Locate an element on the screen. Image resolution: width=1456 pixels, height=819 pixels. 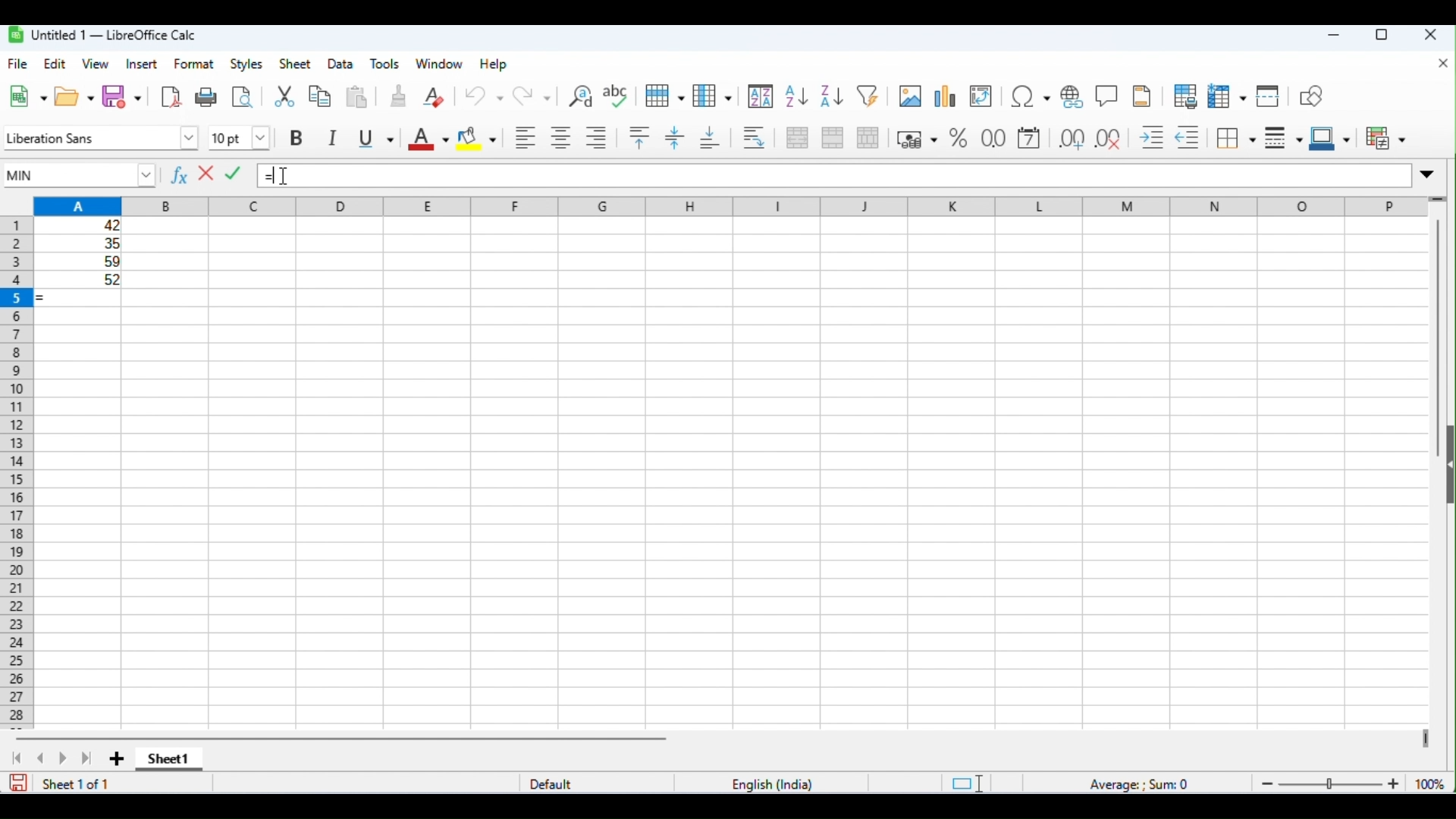
center vertically is located at coordinates (675, 138).